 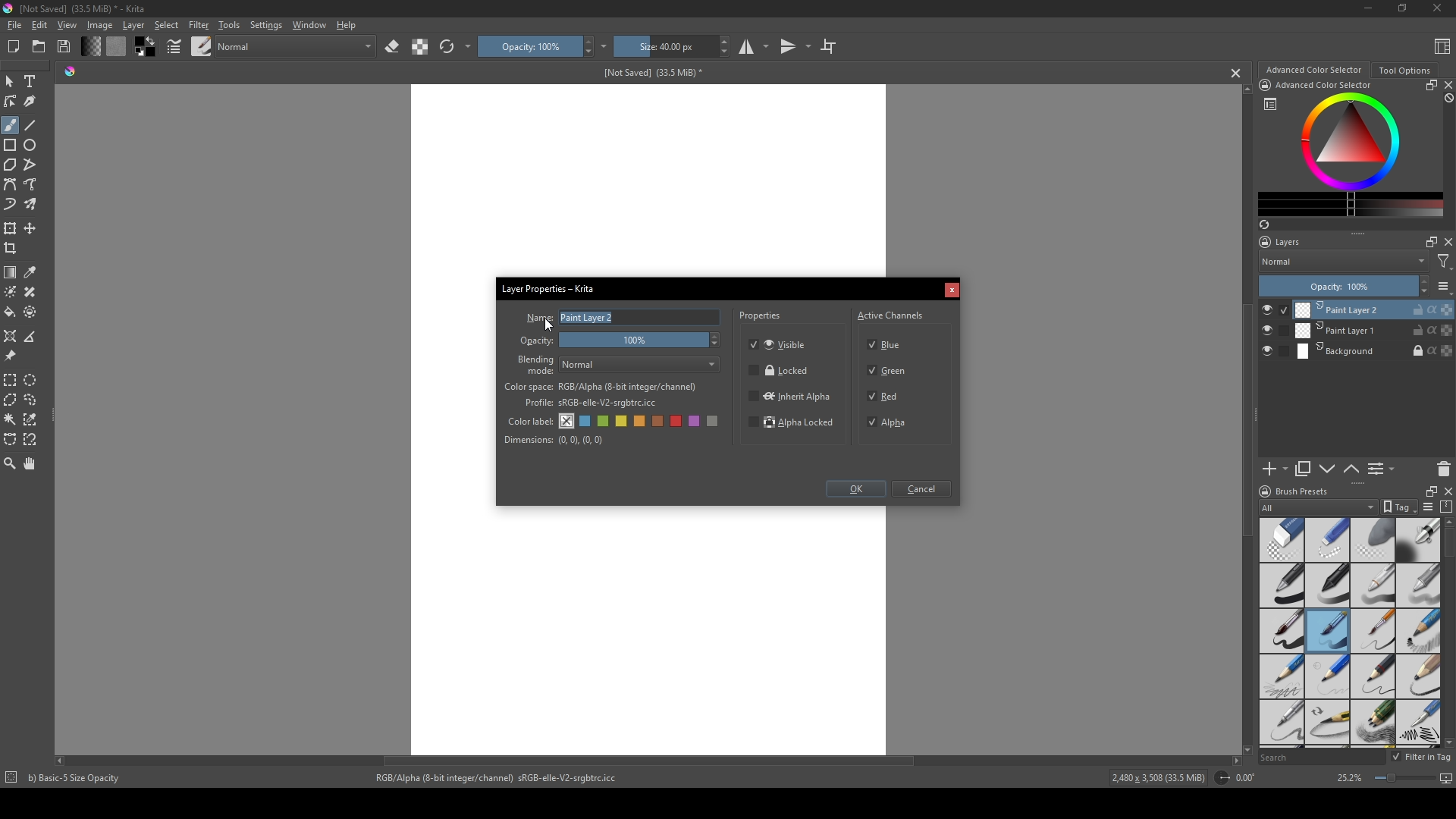 I want to click on grey pen, so click(x=1418, y=585).